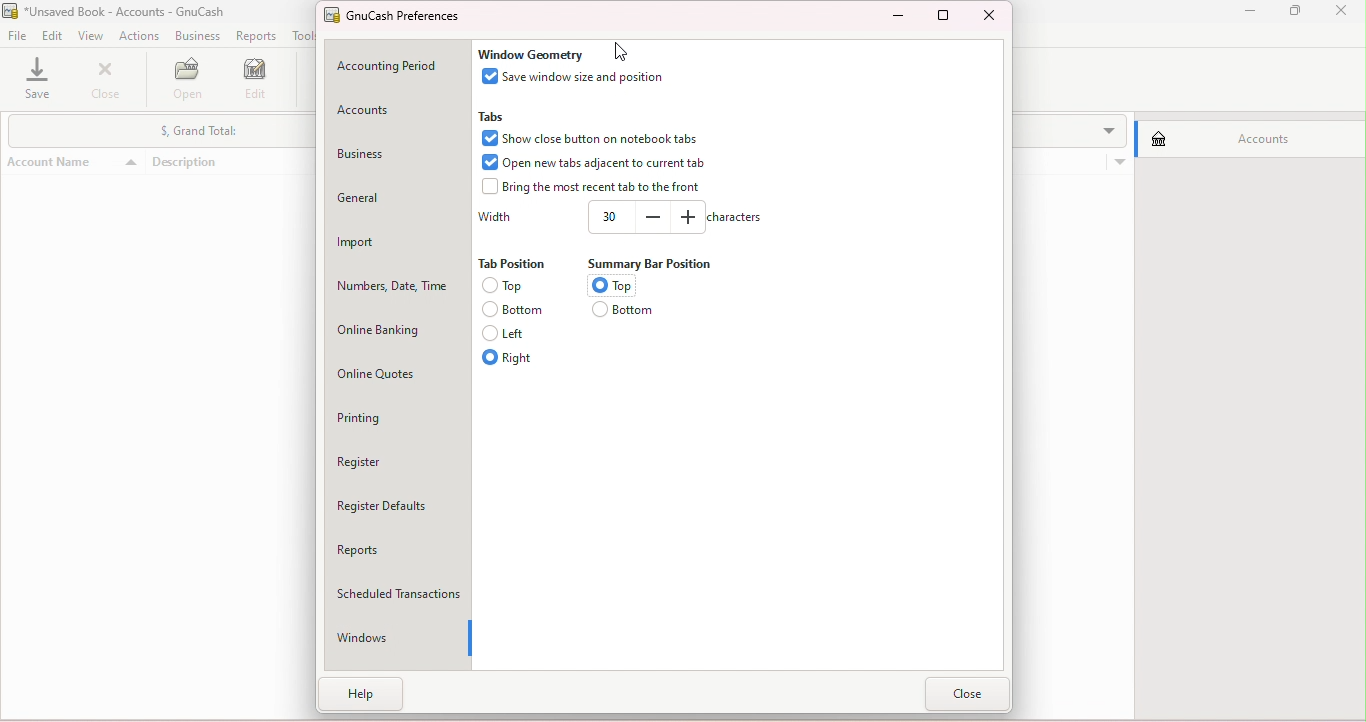 Image resolution: width=1366 pixels, height=722 pixels. What do you see at coordinates (739, 220) in the screenshot?
I see `Characters` at bounding box center [739, 220].